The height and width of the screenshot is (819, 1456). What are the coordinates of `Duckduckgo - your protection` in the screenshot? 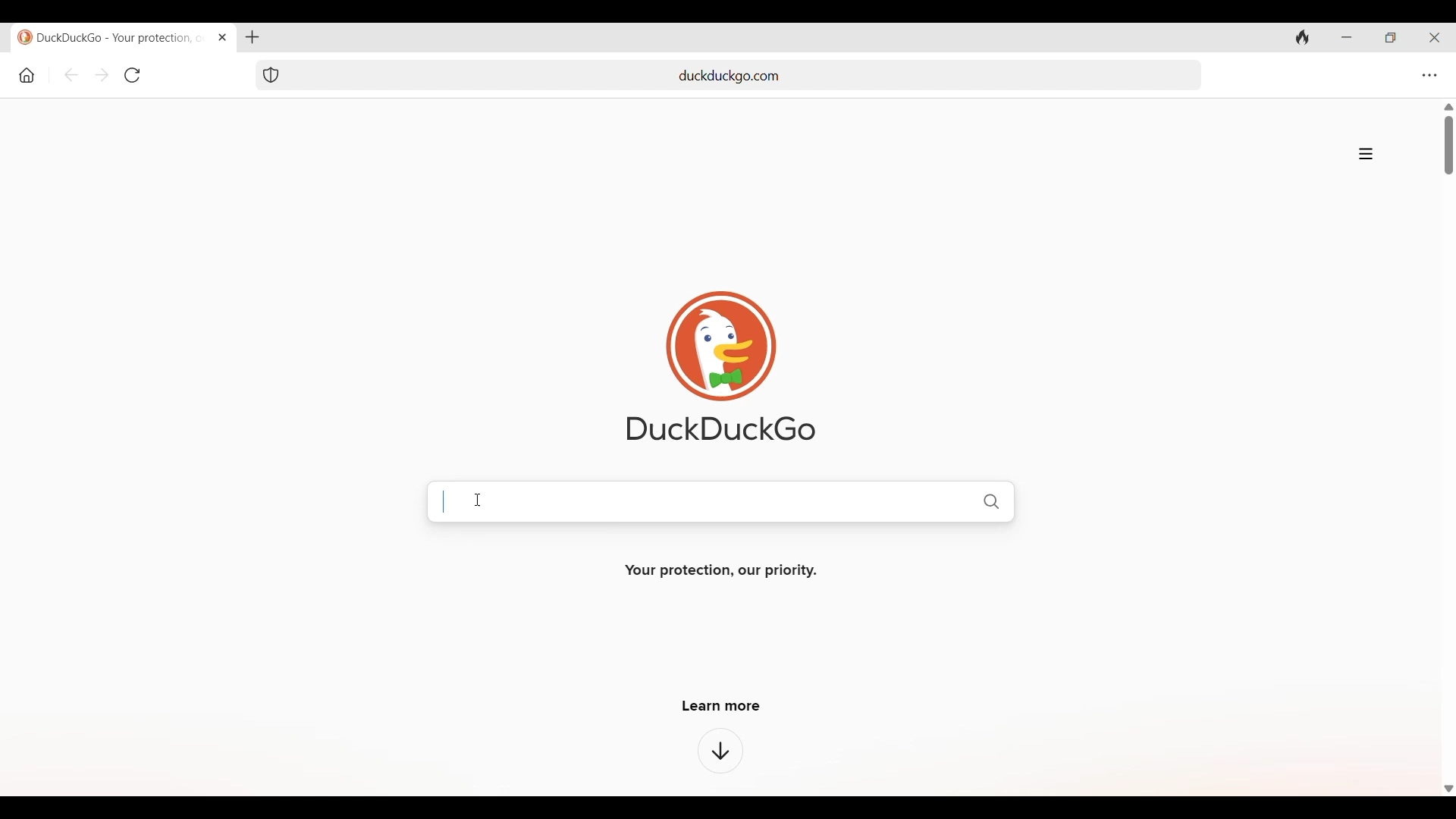 It's located at (114, 37).